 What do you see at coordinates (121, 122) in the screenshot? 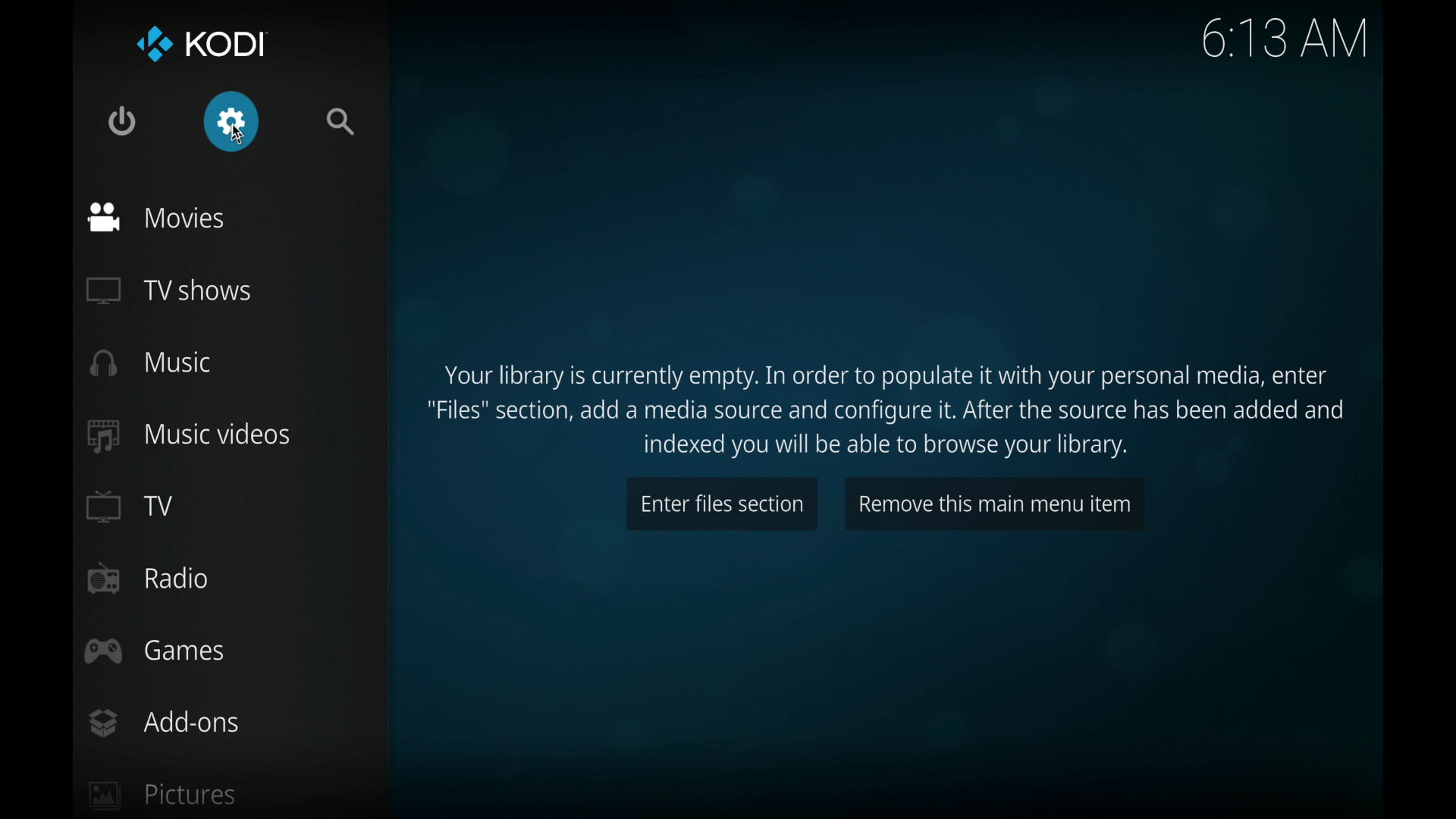
I see `quit kodi` at bounding box center [121, 122].